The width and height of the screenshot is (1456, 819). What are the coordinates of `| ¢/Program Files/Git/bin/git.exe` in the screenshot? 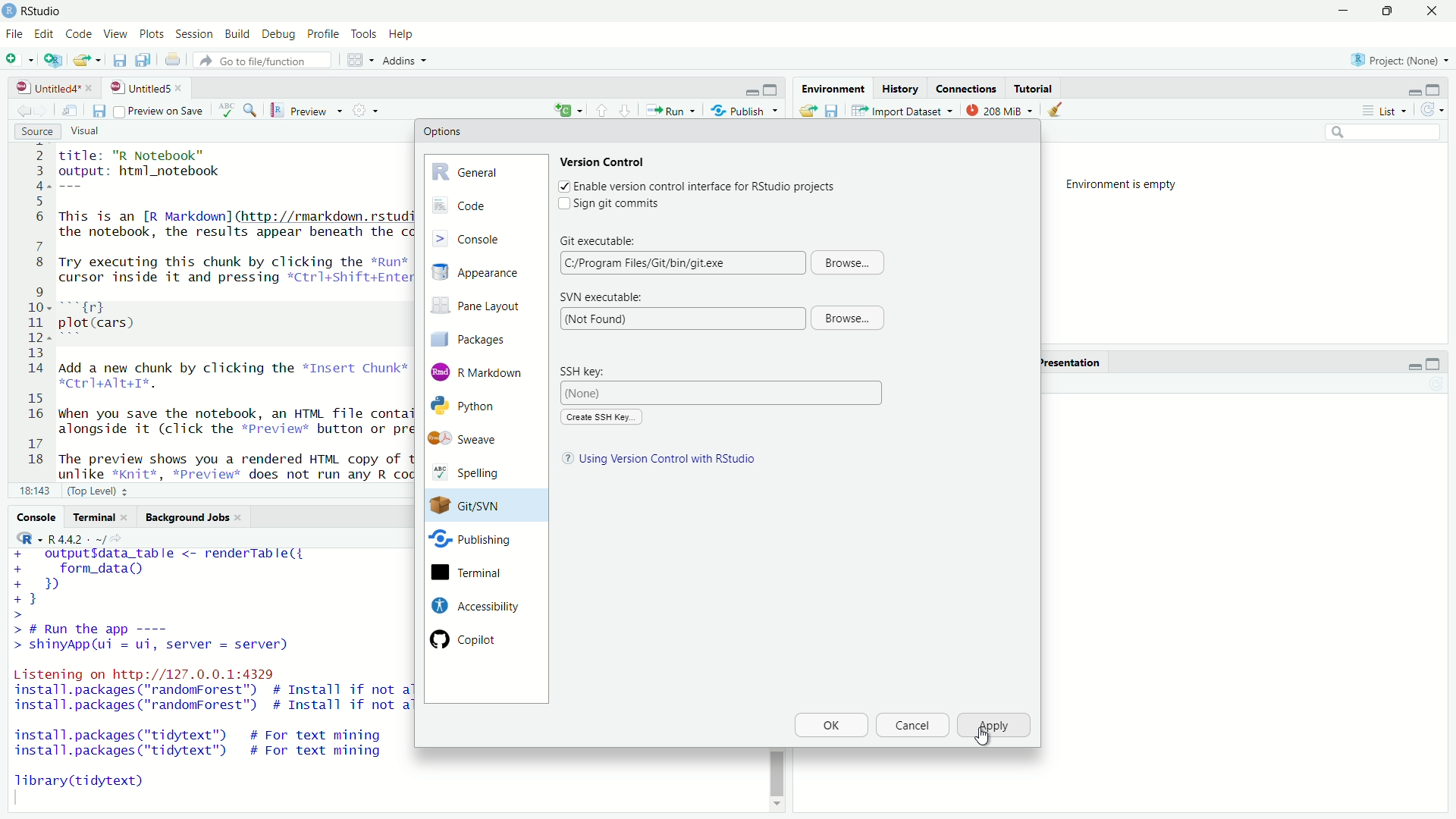 It's located at (680, 262).